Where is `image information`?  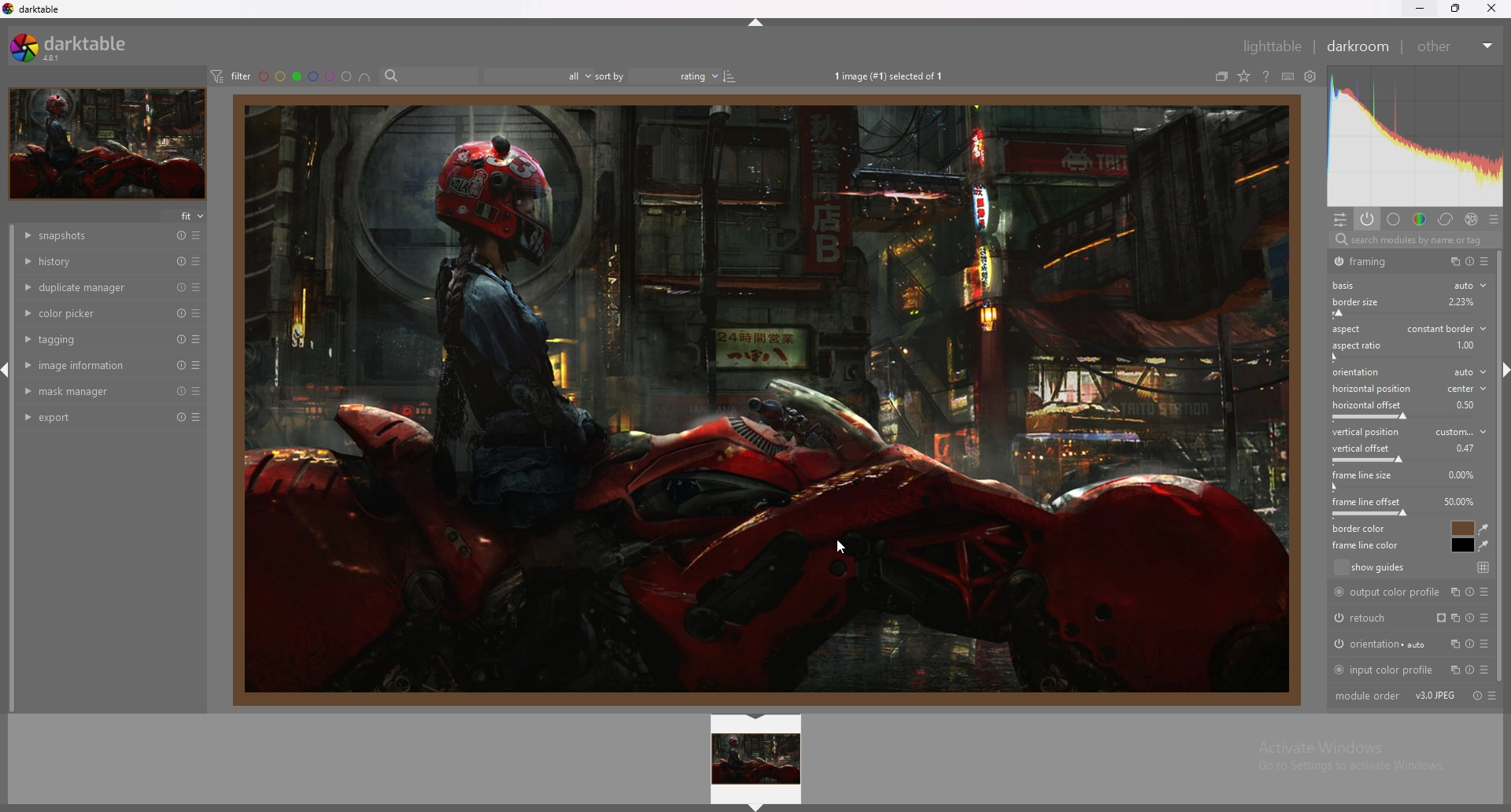 image information is located at coordinates (94, 364).